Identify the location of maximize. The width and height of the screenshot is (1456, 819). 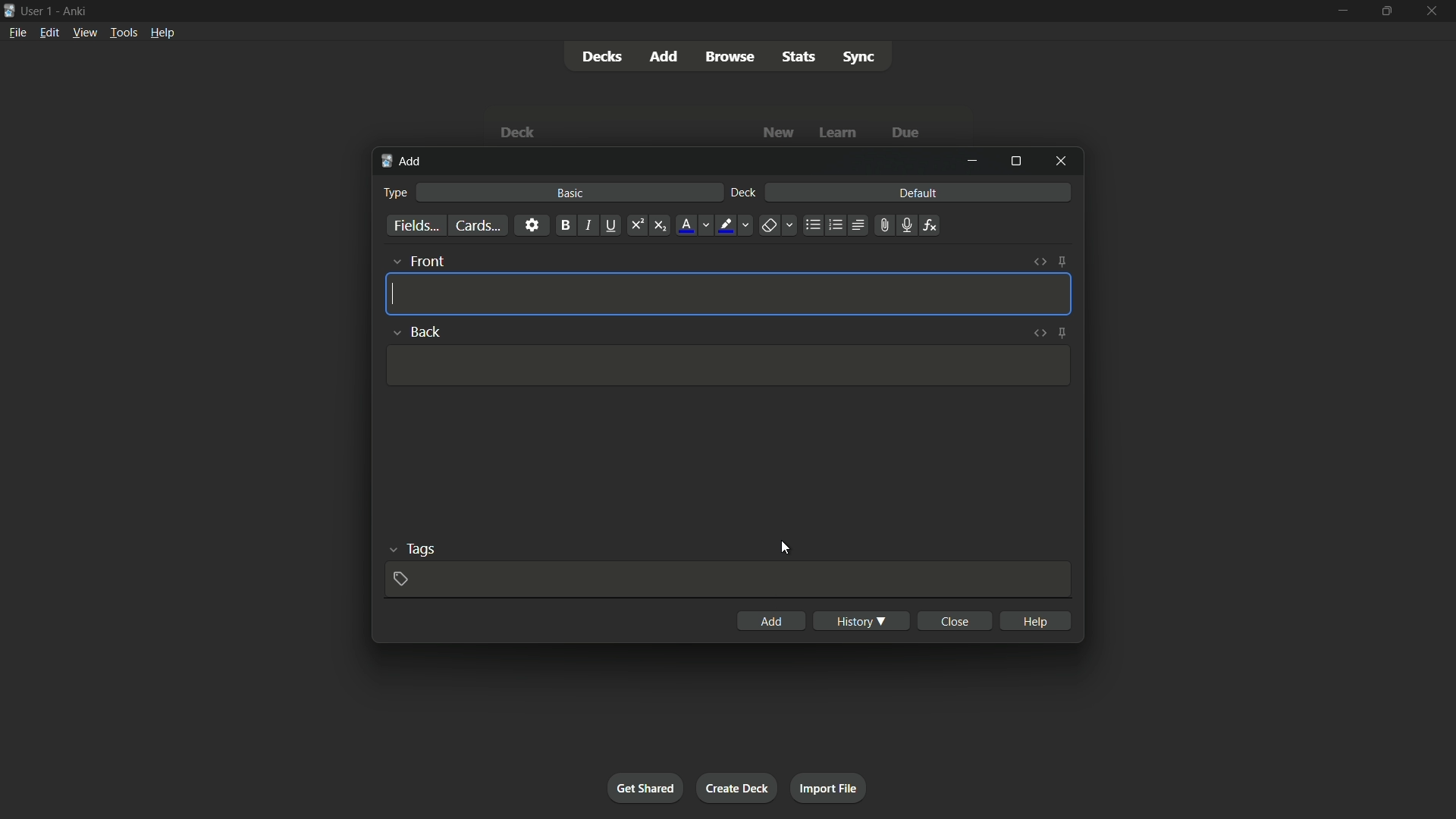
(1389, 11).